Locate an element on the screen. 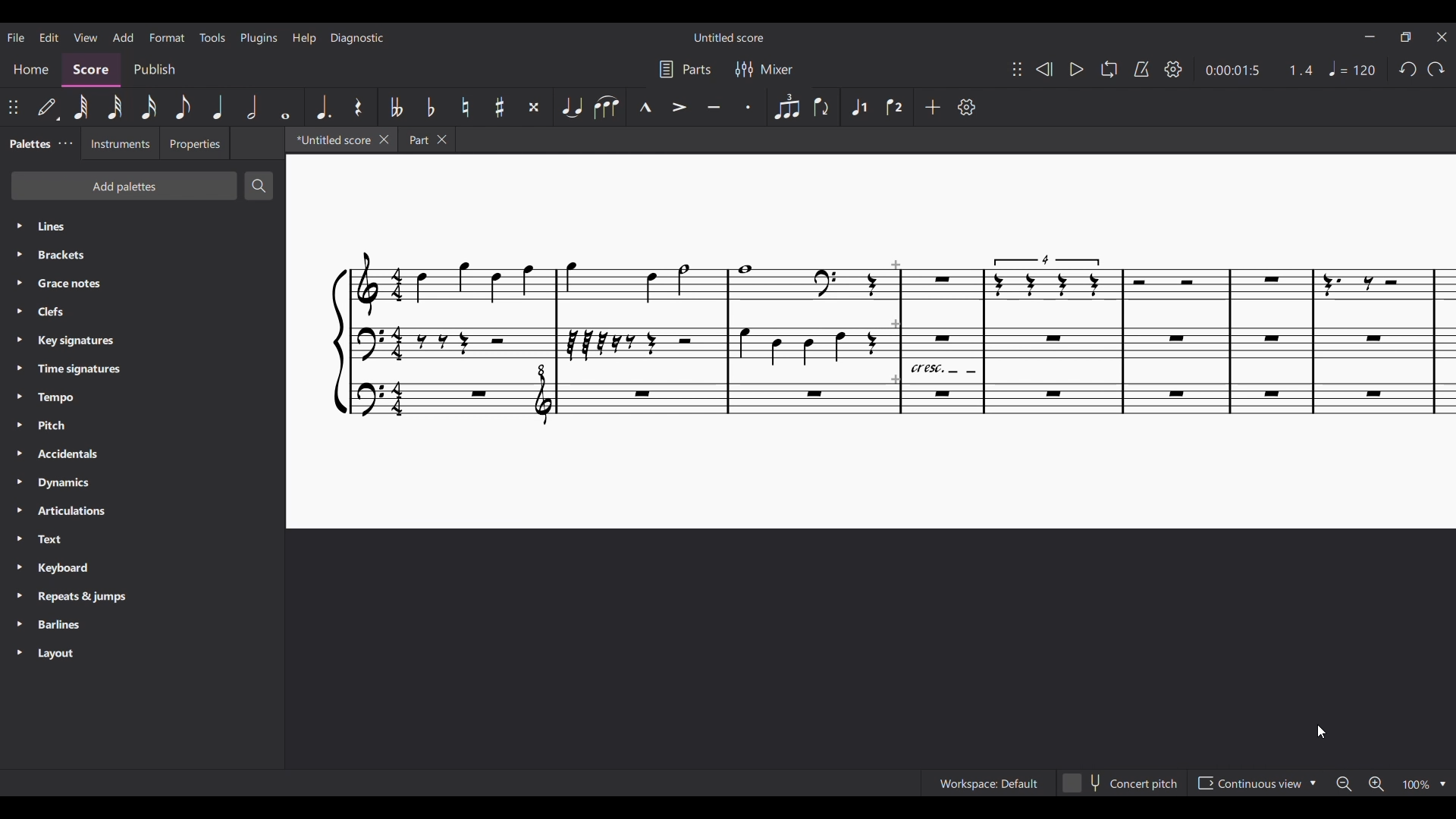  Palettes tab, current selection is located at coordinates (29, 144).